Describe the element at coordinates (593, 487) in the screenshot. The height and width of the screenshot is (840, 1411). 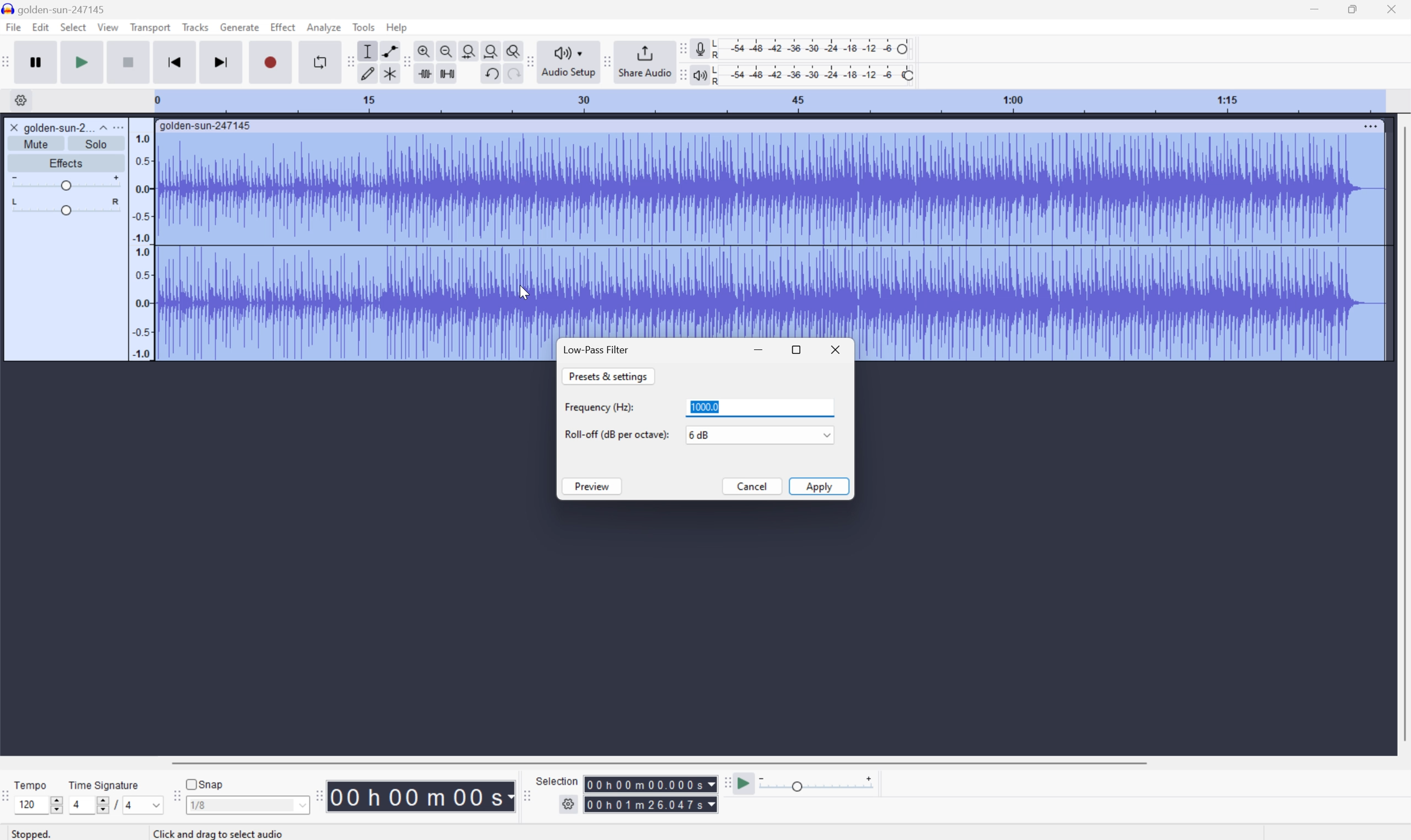
I see `Preview` at that location.